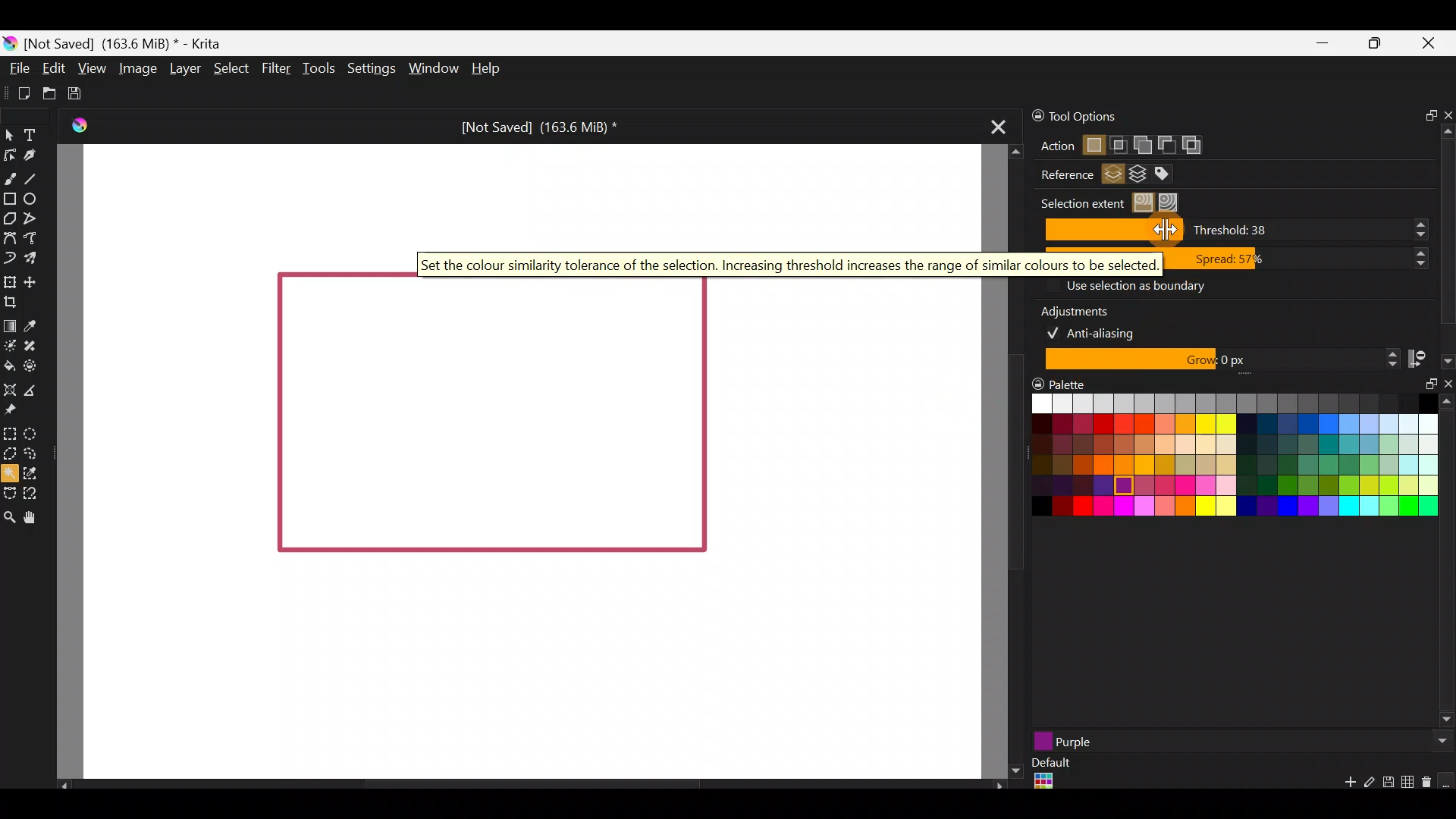  What do you see at coordinates (33, 433) in the screenshot?
I see `Elliptical selection tool` at bounding box center [33, 433].